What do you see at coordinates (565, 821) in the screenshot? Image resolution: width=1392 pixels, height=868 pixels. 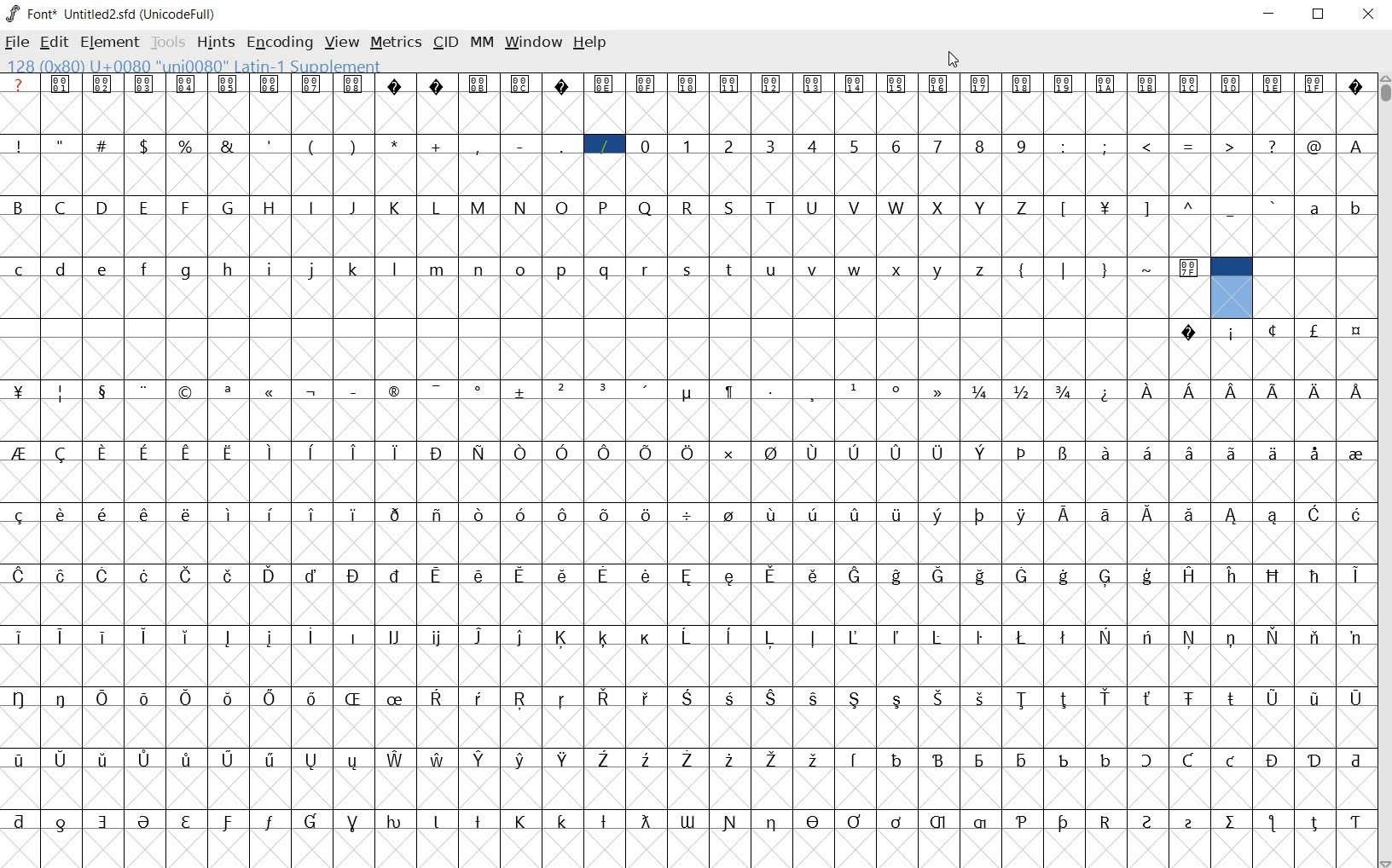 I see `Symbol` at bounding box center [565, 821].